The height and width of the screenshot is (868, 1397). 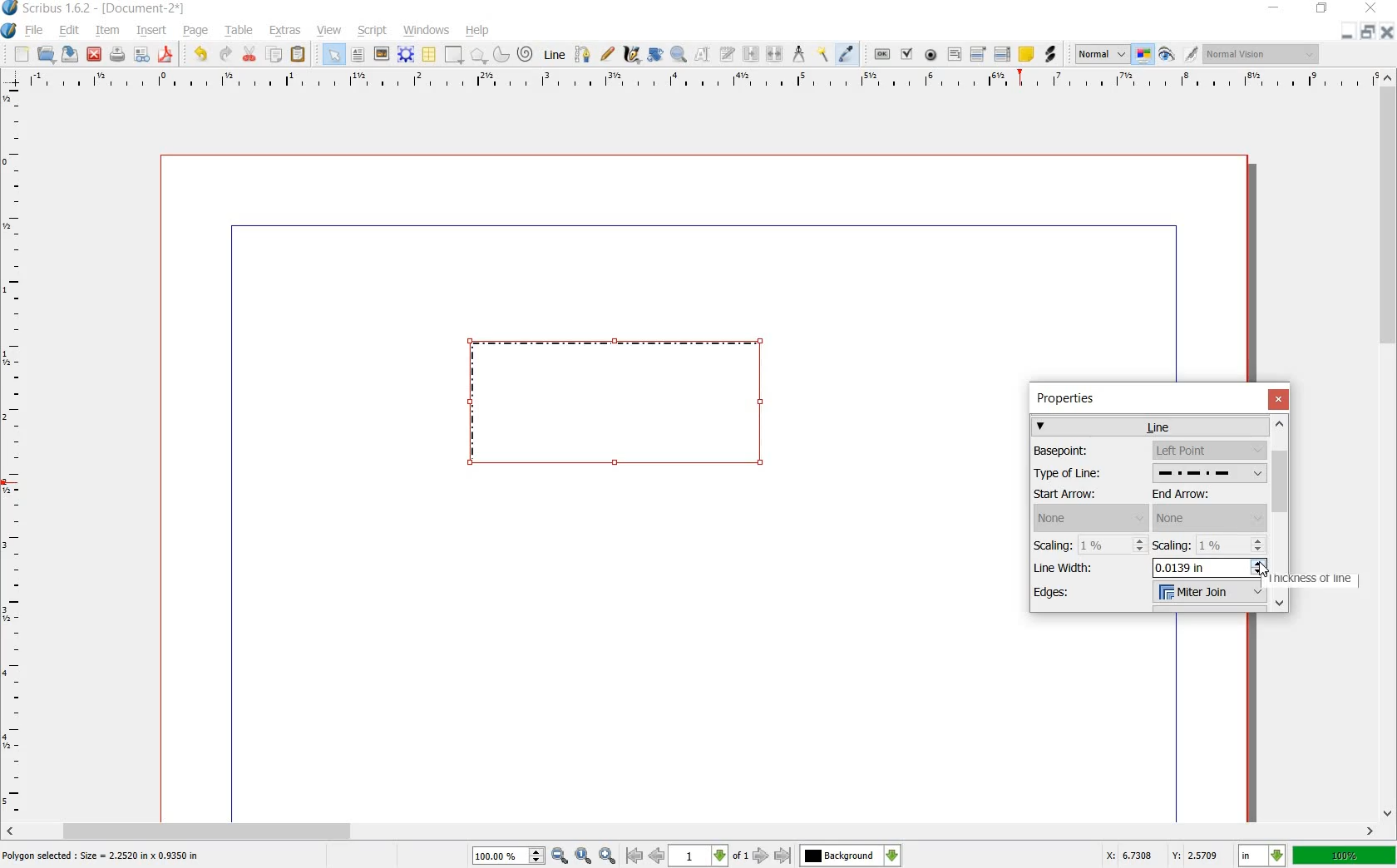 I want to click on CALLIGRAPHIC LINE, so click(x=630, y=54).